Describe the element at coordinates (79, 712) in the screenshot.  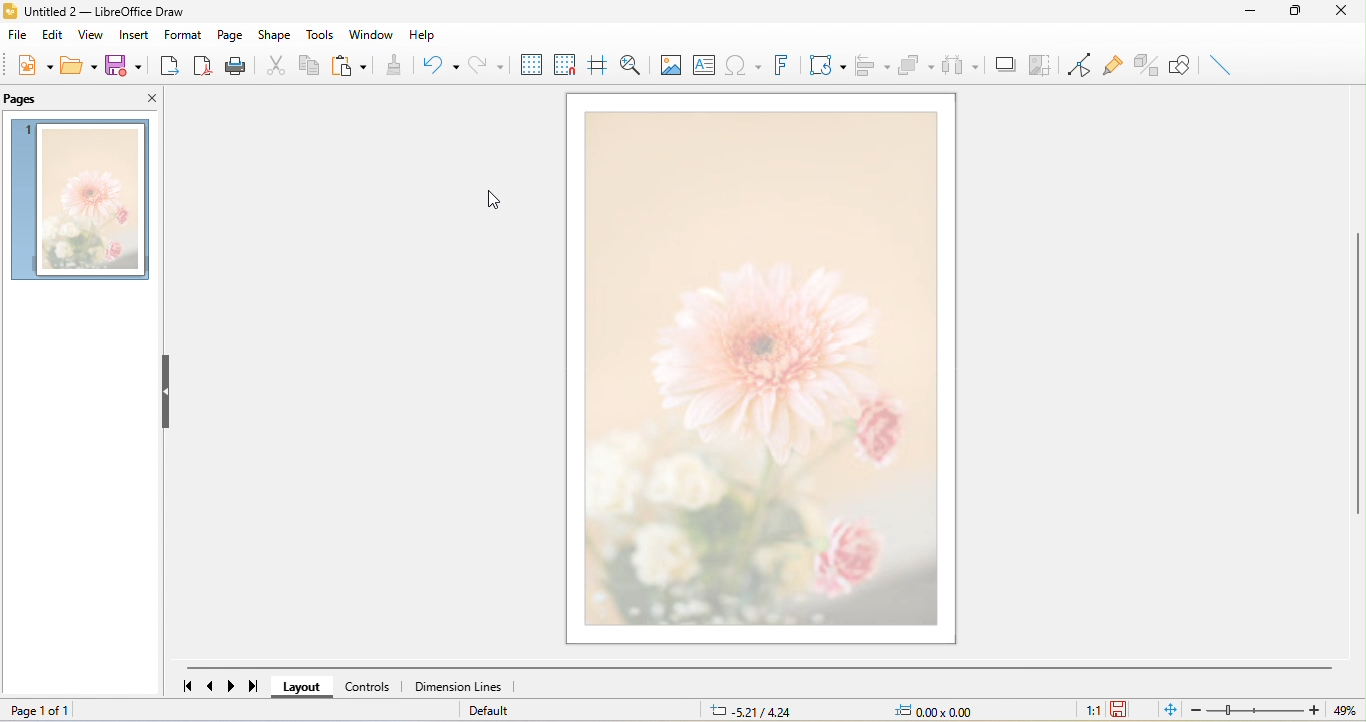
I see `page 1 of 1` at that location.